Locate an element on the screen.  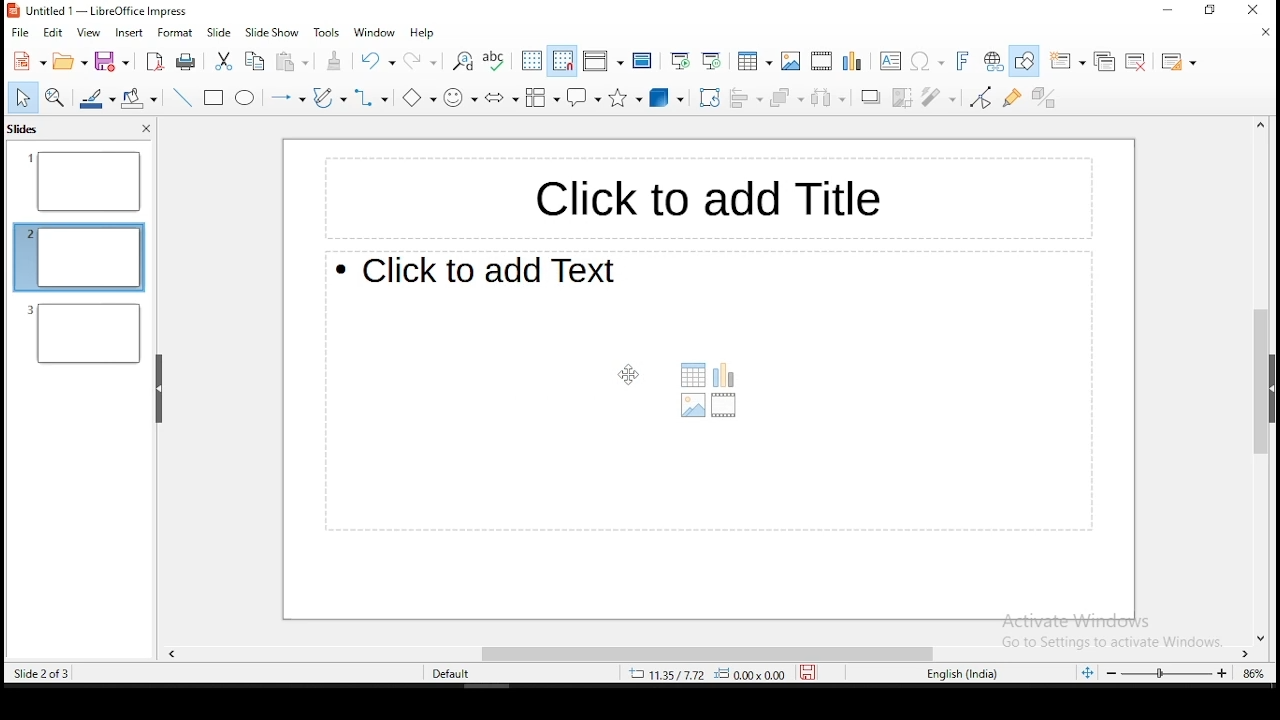
 slide layout is located at coordinates (1178, 62).